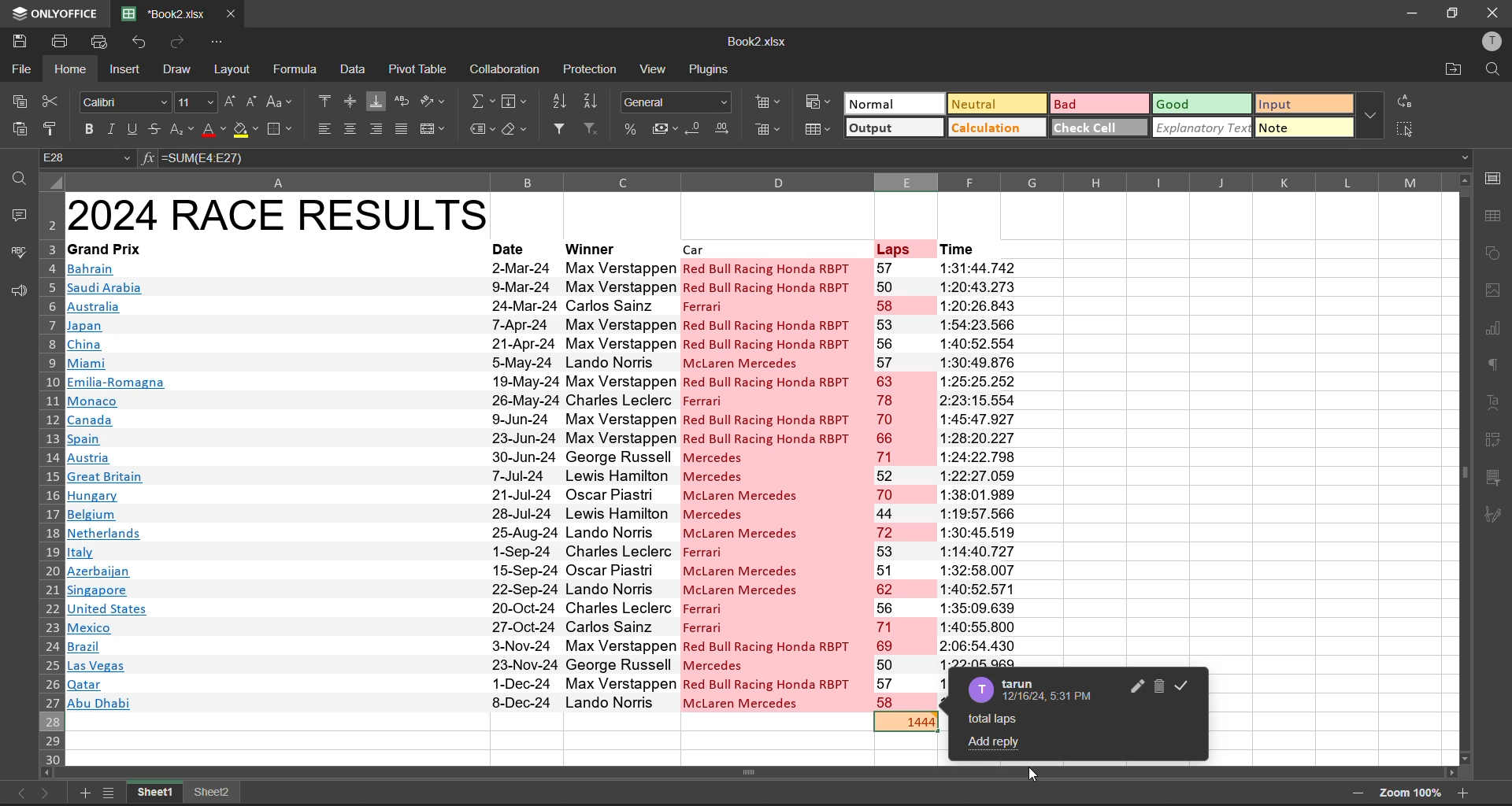 Image resolution: width=1512 pixels, height=806 pixels. Describe the element at coordinates (591, 70) in the screenshot. I see `protection` at that location.